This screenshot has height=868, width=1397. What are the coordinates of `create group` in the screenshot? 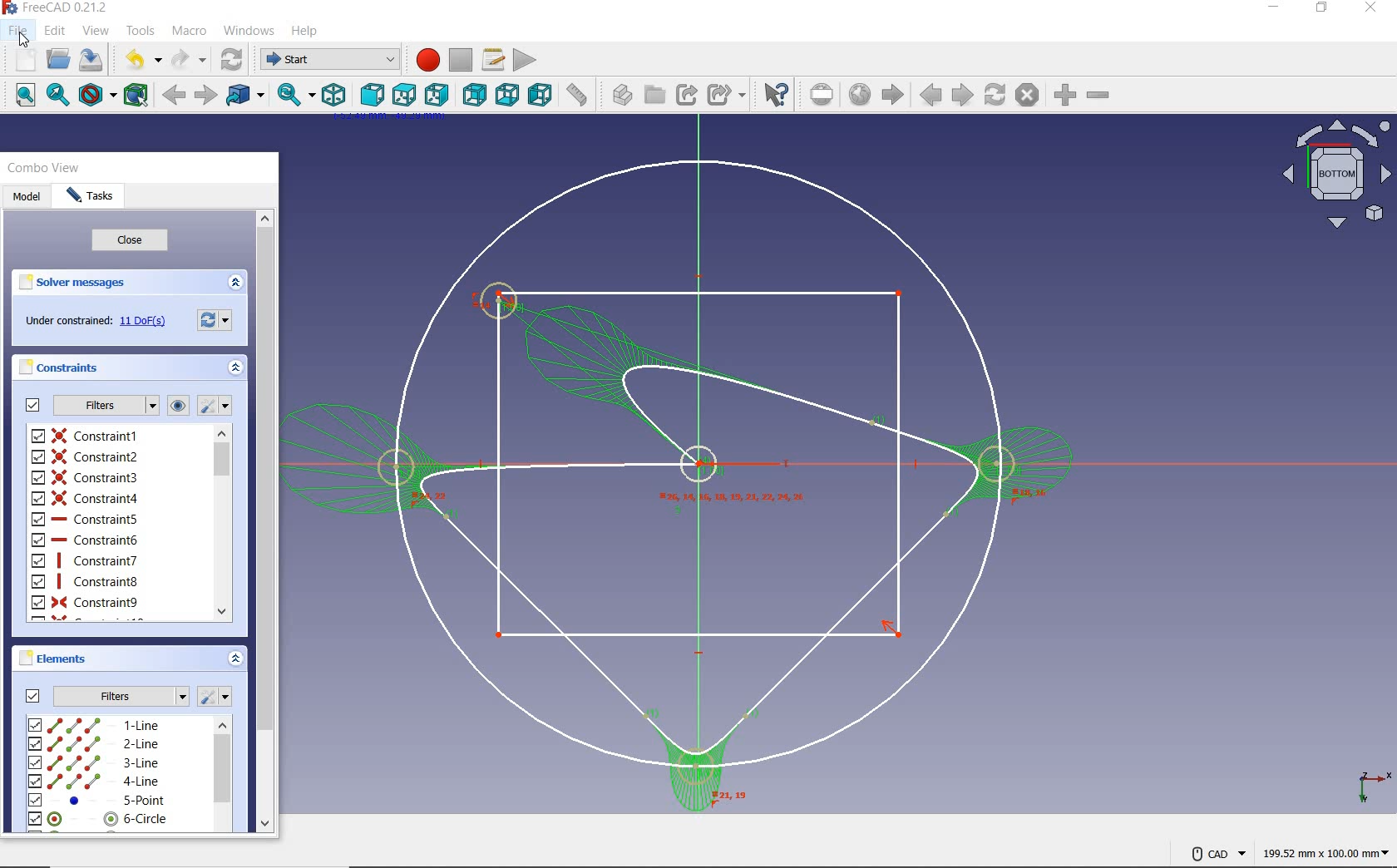 It's located at (654, 94).